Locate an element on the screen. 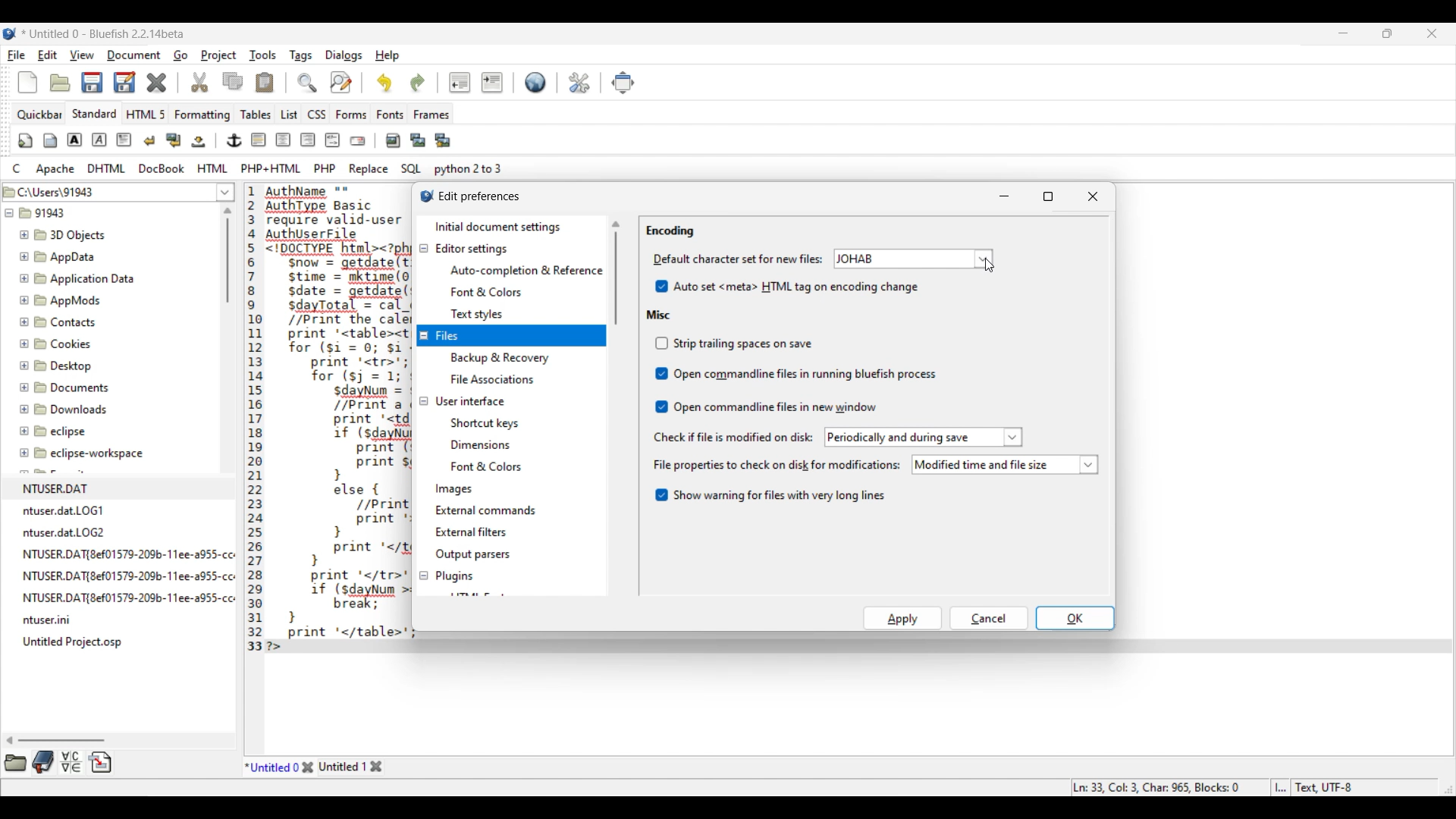 This screenshot has width=1456, height=819. Files setting options is located at coordinates (527, 368).